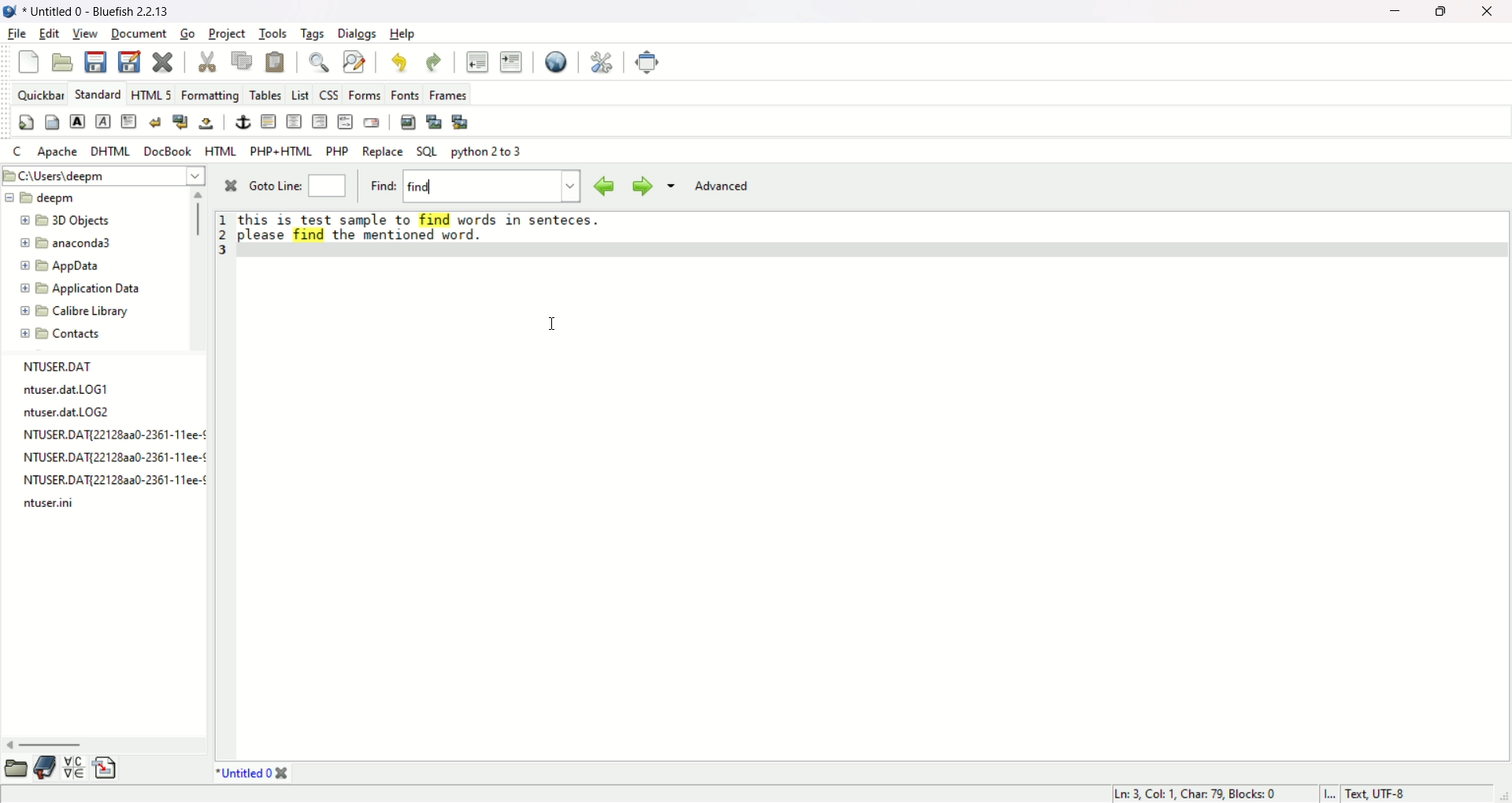 The height and width of the screenshot is (803, 1512). What do you see at coordinates (152, 93) in the screenshot?
I see `HTML 5` at bounding box center [152, 93].